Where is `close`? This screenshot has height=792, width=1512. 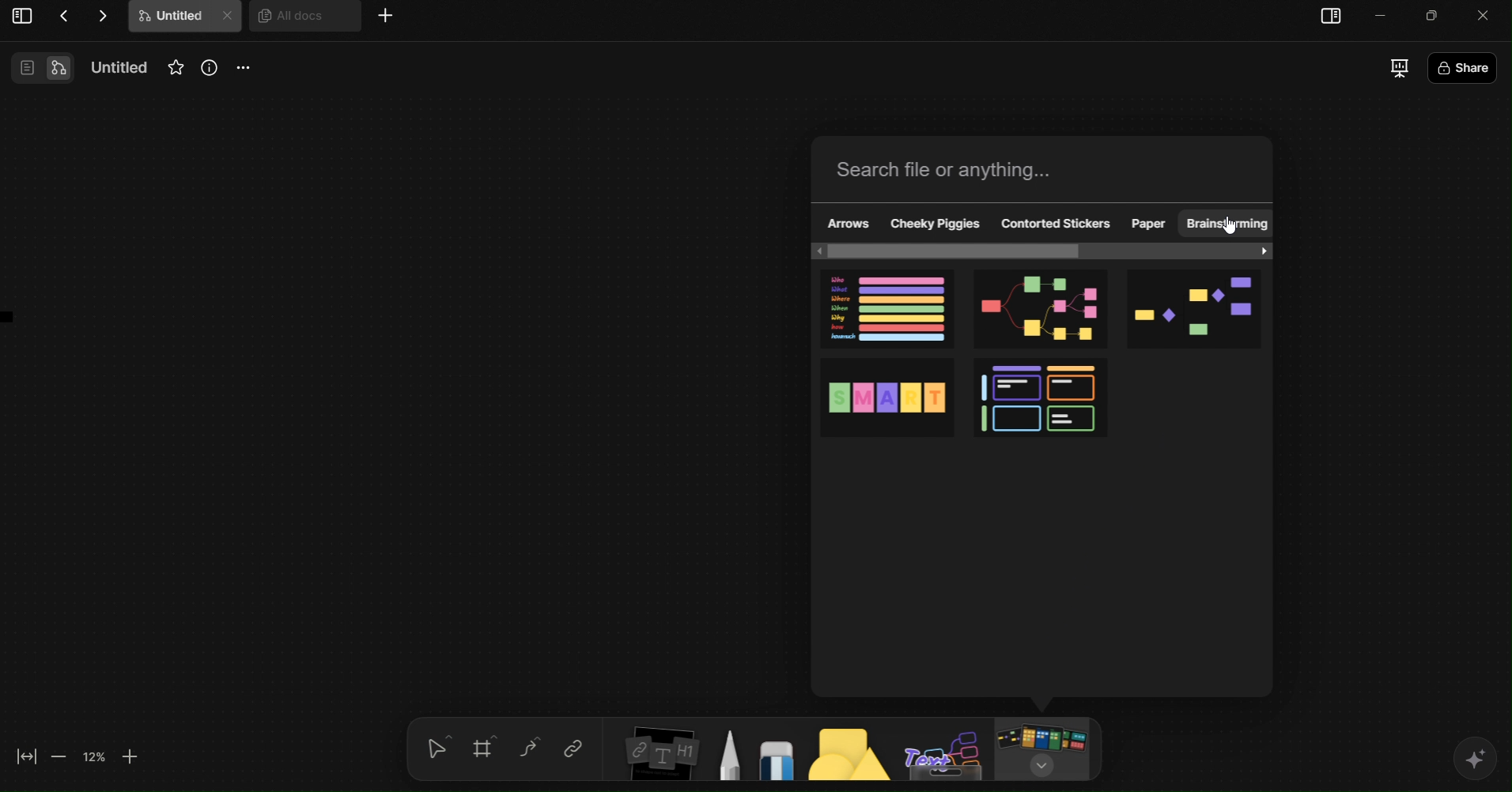
close is located at coordinates (1491, 13).